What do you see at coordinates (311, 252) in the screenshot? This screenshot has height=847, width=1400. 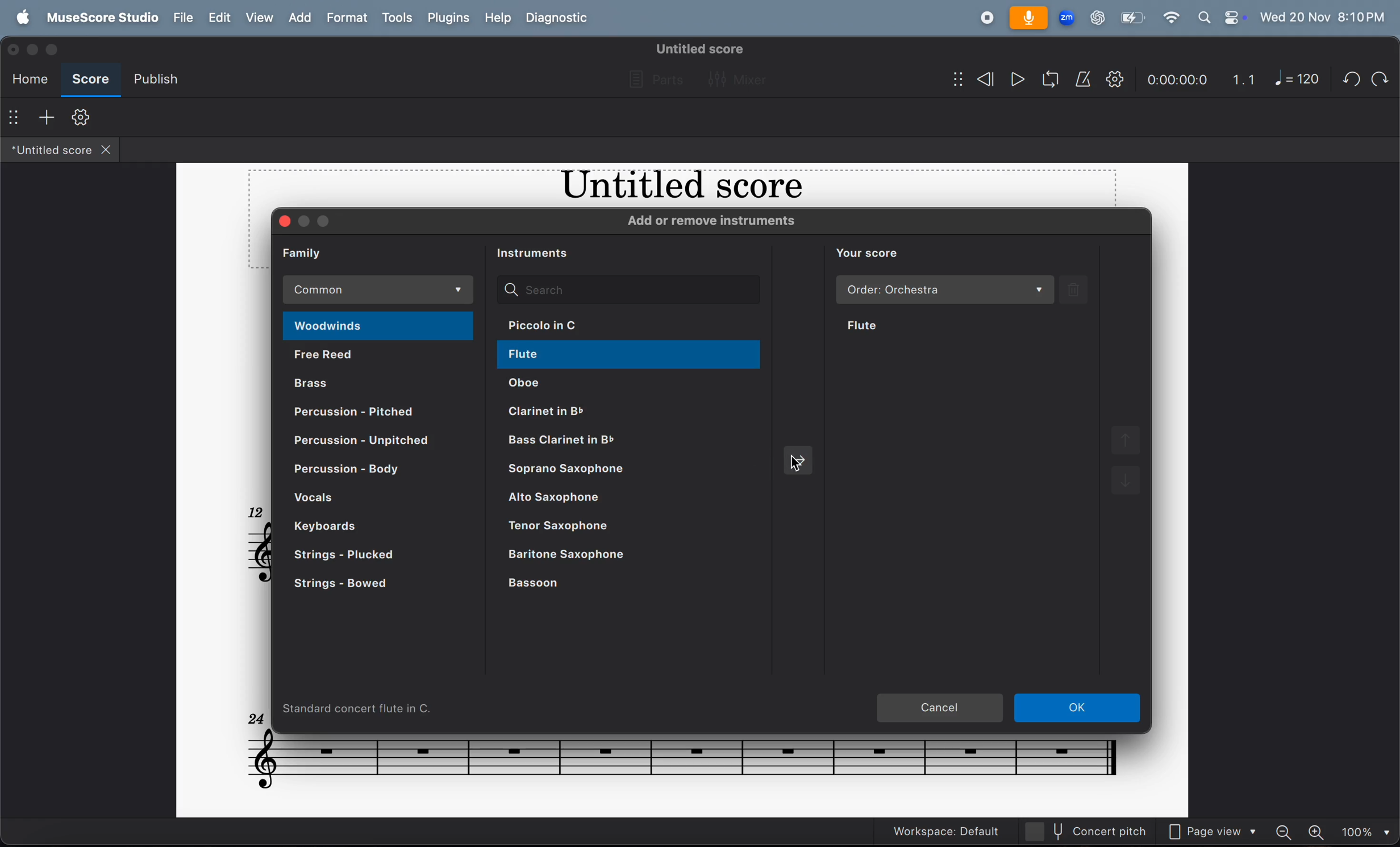 I see `family` at bounding box center [311, 252].